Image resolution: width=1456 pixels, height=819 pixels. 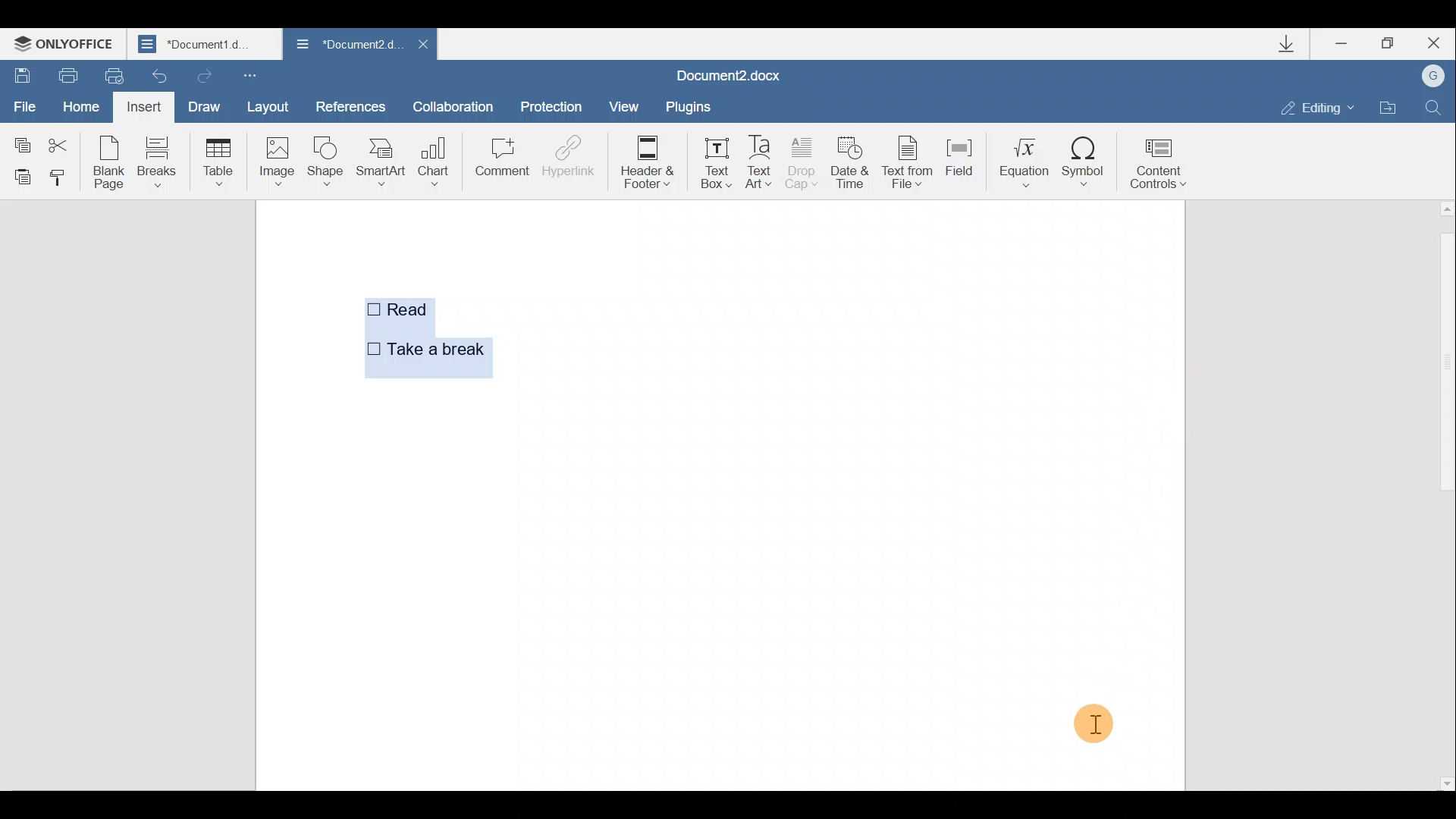 I want to click on Checkbox, so click(x=370, y=312).